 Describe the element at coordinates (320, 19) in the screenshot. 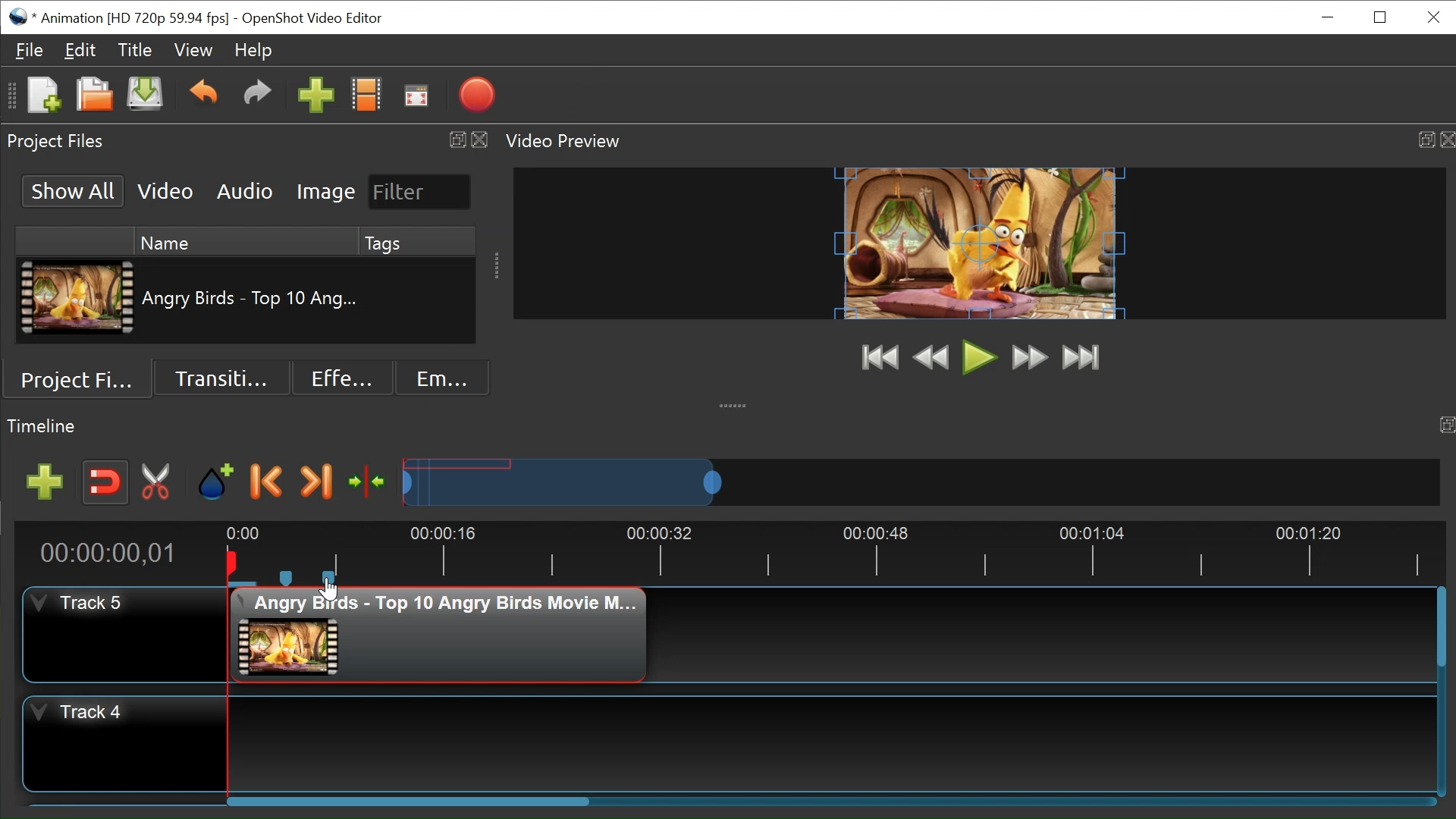

I see `OpenShot Video Editor` at that location.